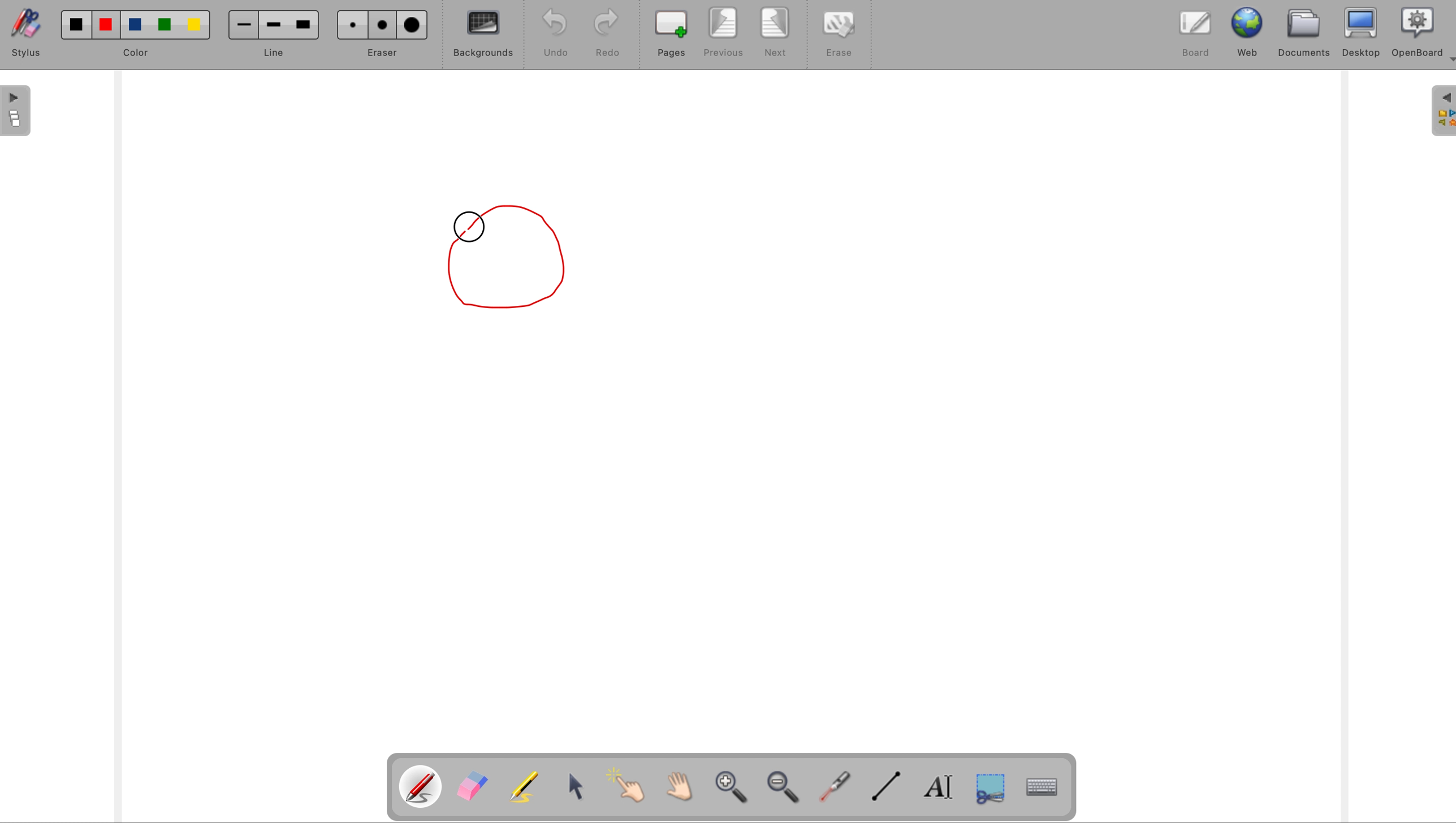 The image size is (1456, 823). I want to click on cursor, so click(471, 226).